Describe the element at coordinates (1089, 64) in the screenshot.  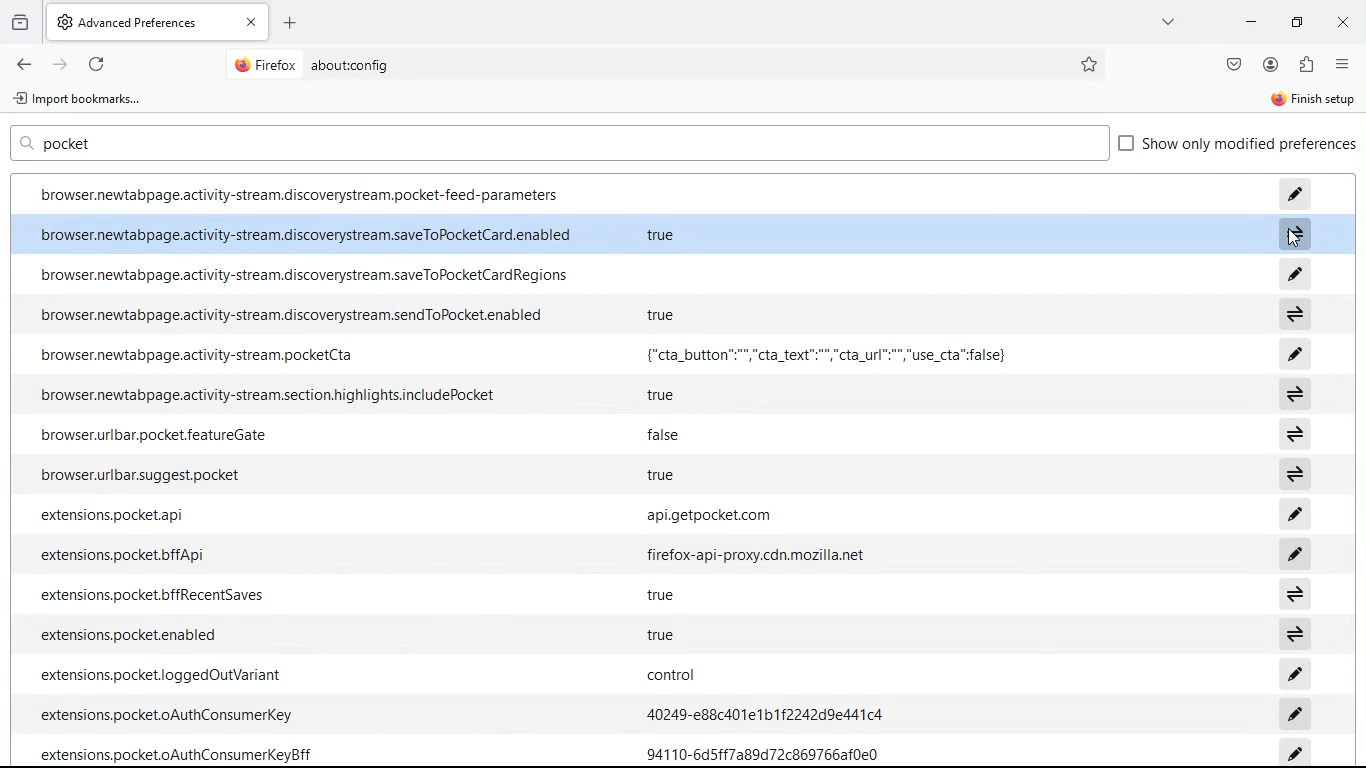
I see `favorite` at that location.